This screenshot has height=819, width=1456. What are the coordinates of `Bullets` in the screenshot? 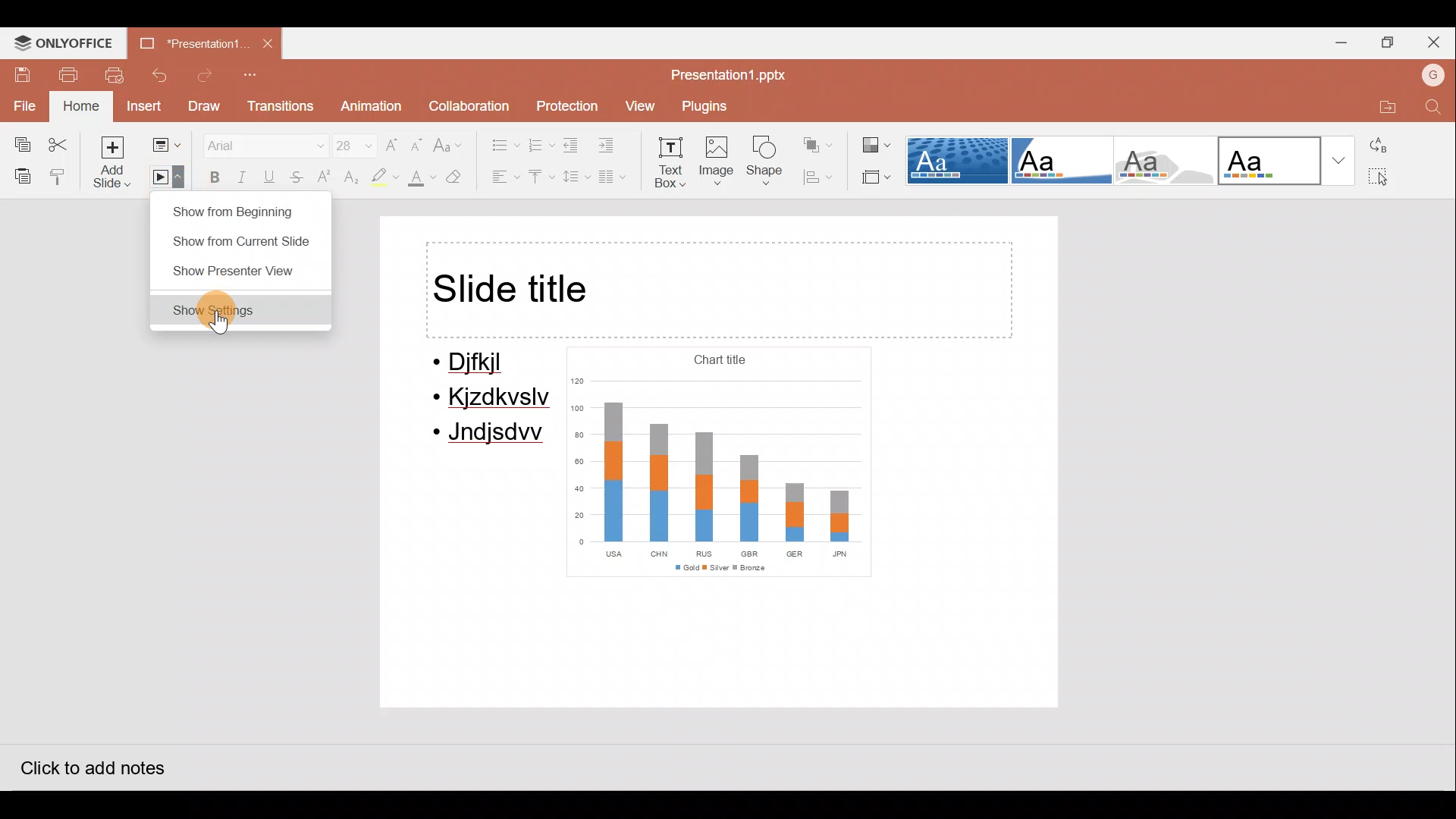 It's located at (499, 142).